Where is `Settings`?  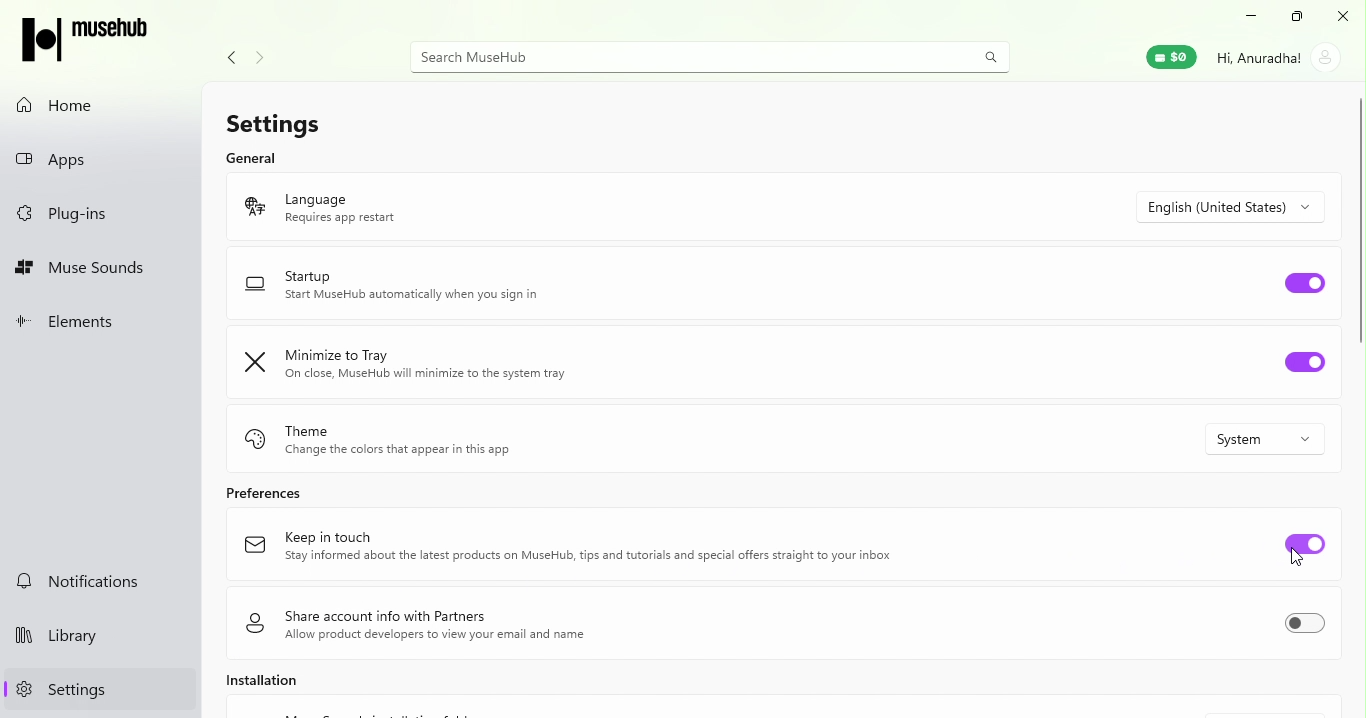
Settings is located at coordinates (97, 690).